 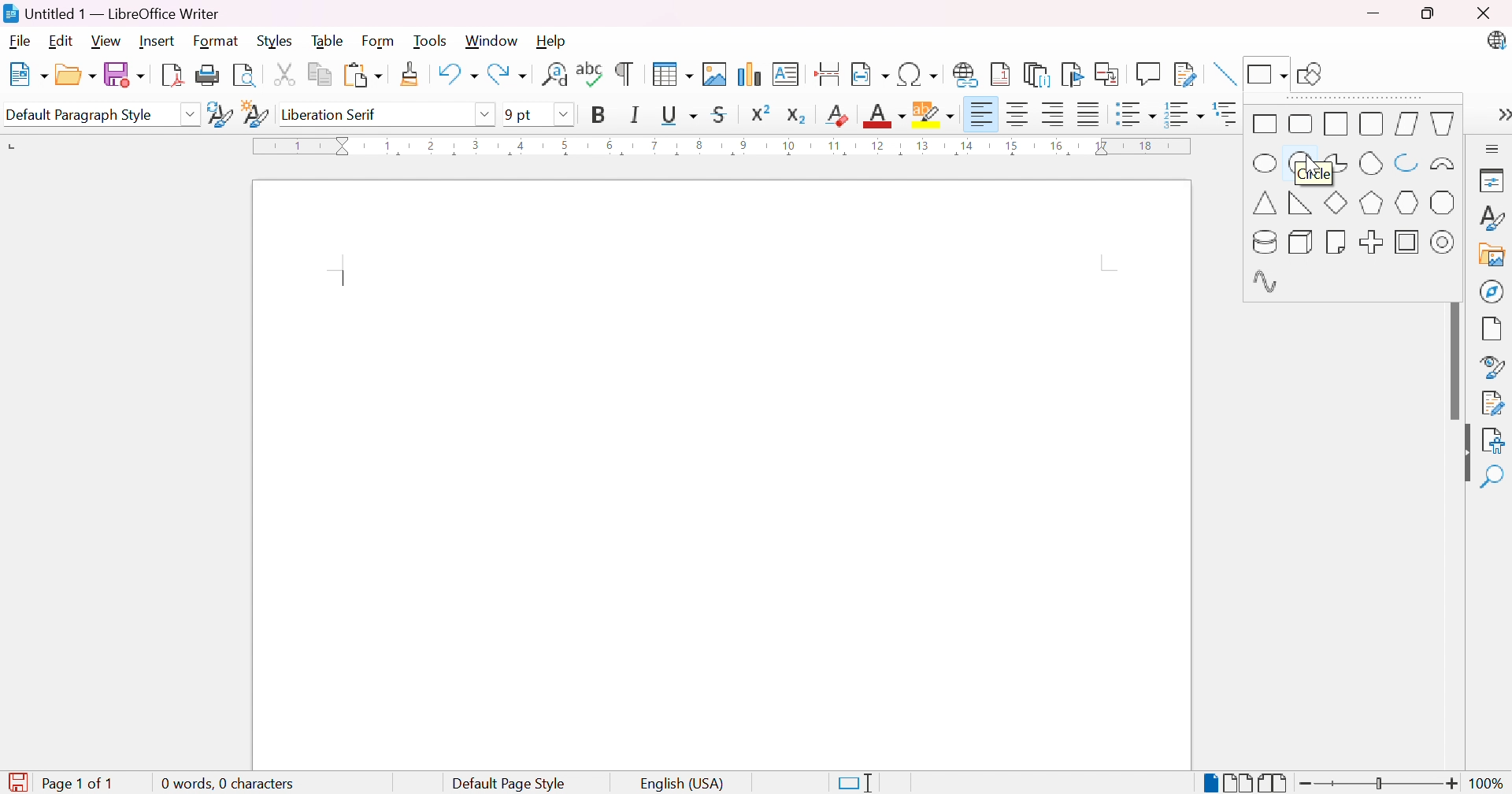 I want to click on Insert table, so click(x=674, y=74).